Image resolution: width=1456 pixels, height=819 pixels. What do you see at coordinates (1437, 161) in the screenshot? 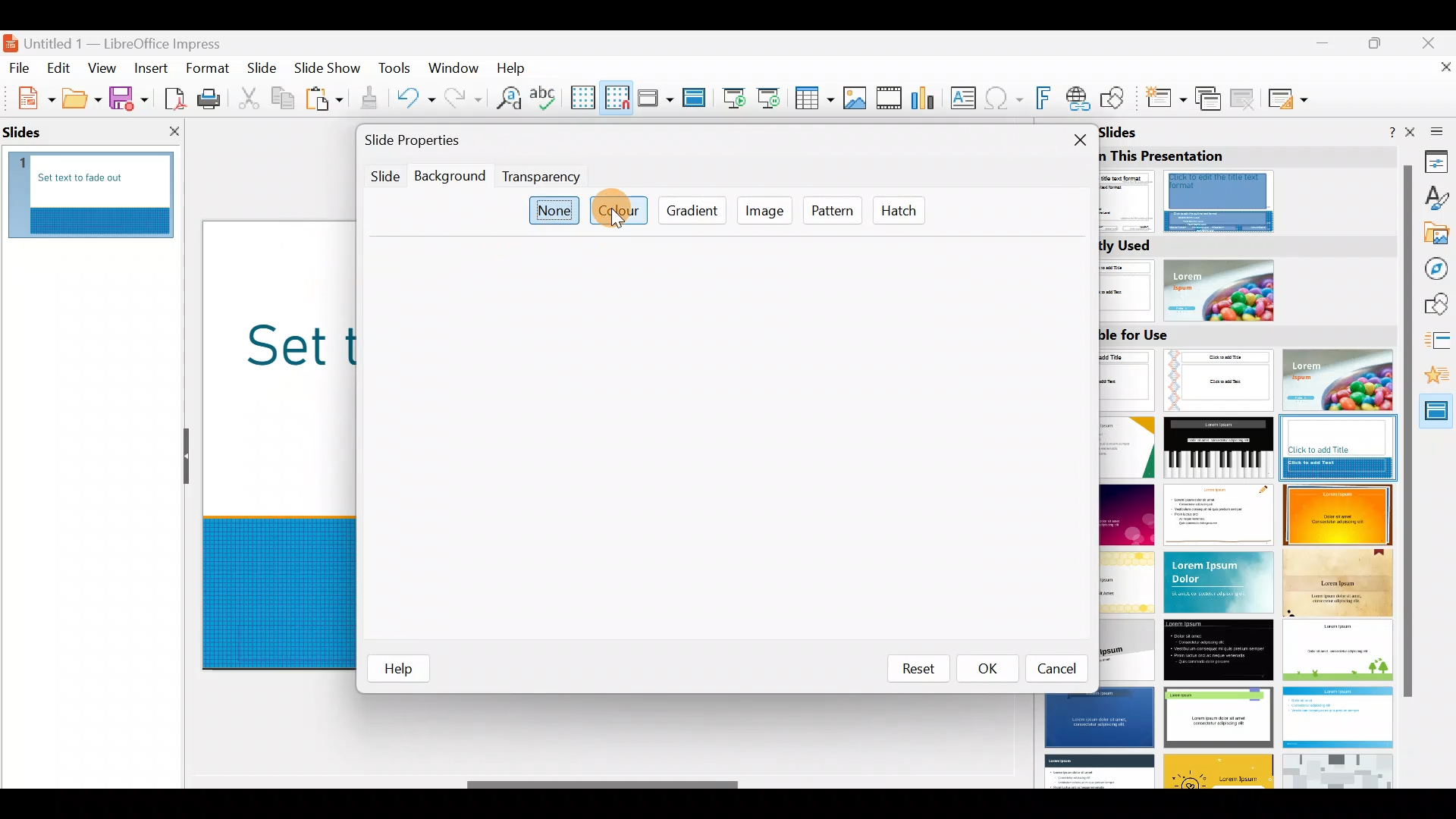
I see `Properties` at bounding box center [1437, 161].